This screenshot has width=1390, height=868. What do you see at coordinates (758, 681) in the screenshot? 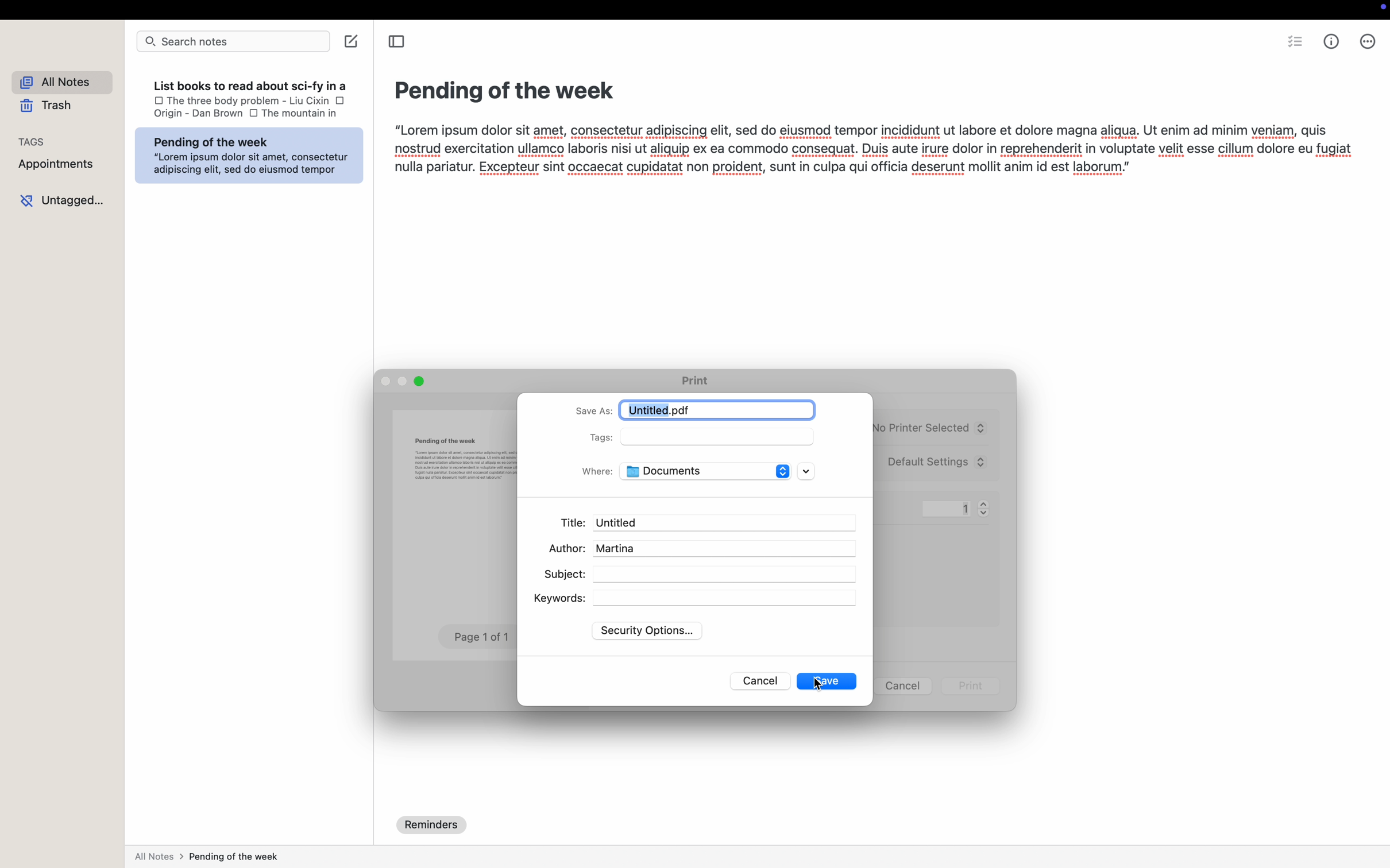
I see `cancel` at bounding box center [758, 681].